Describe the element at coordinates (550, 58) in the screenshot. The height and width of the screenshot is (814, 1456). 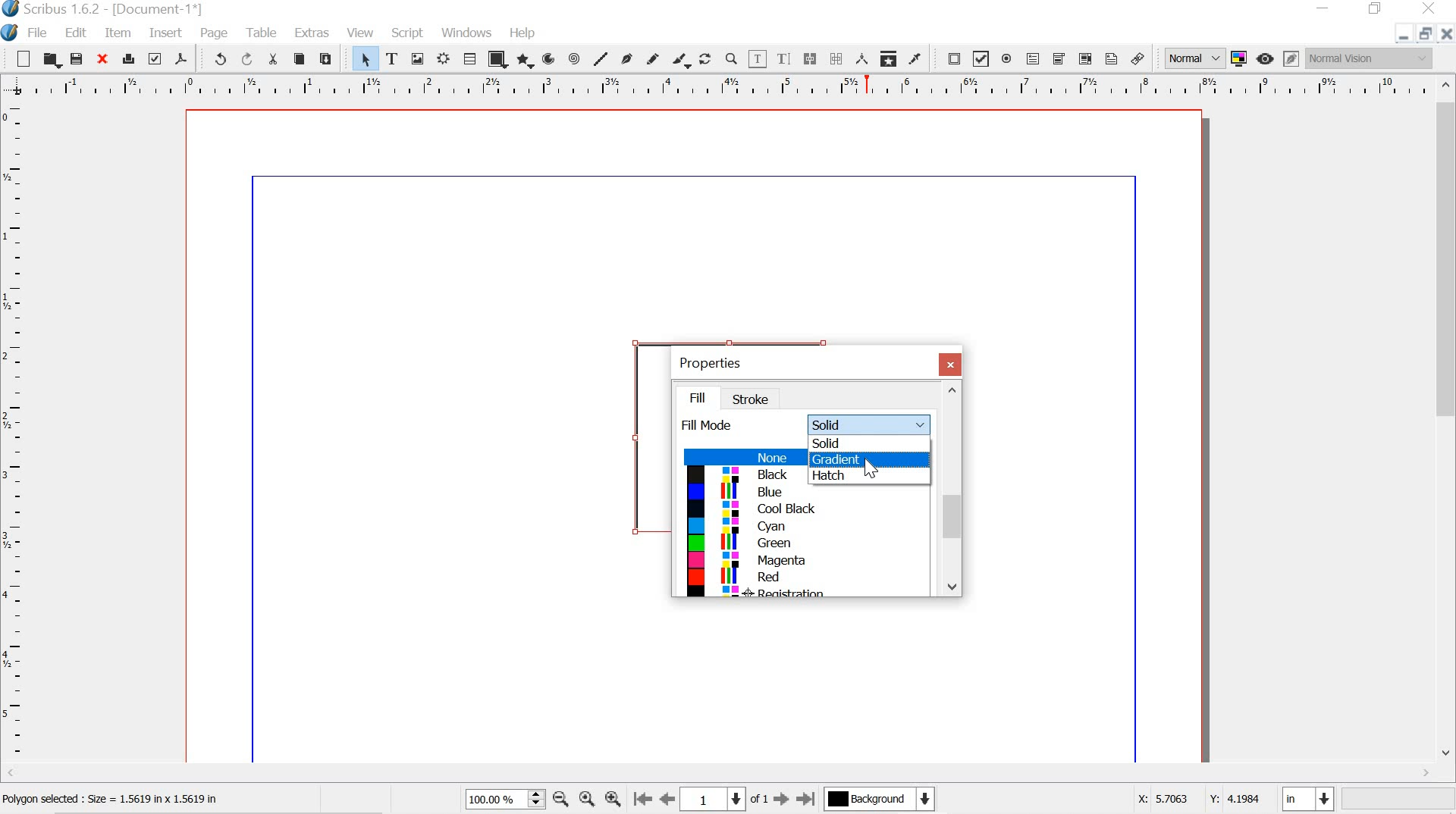
I see `arc` at that location.